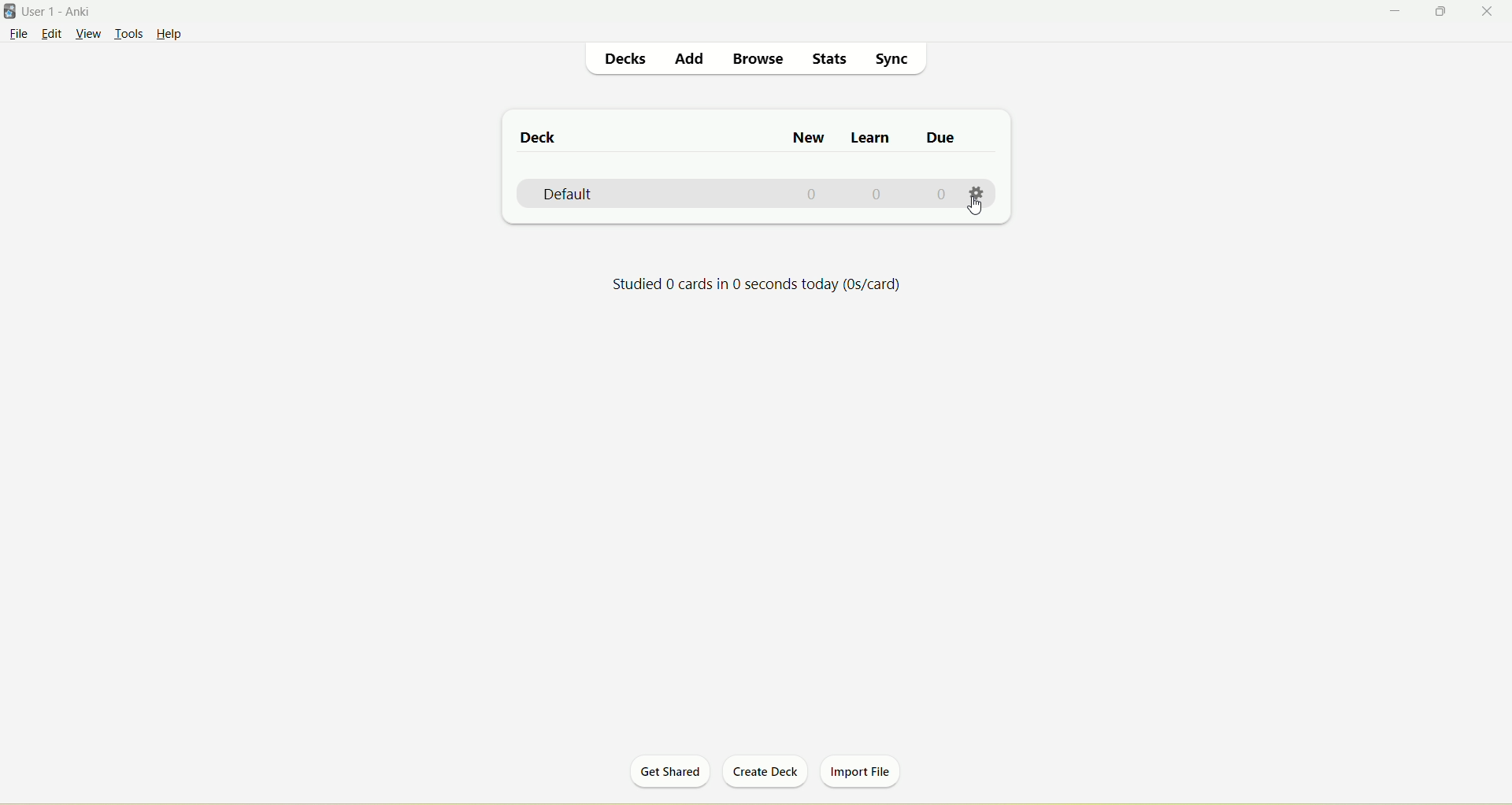  I want to click on deck, so click(540, 137).